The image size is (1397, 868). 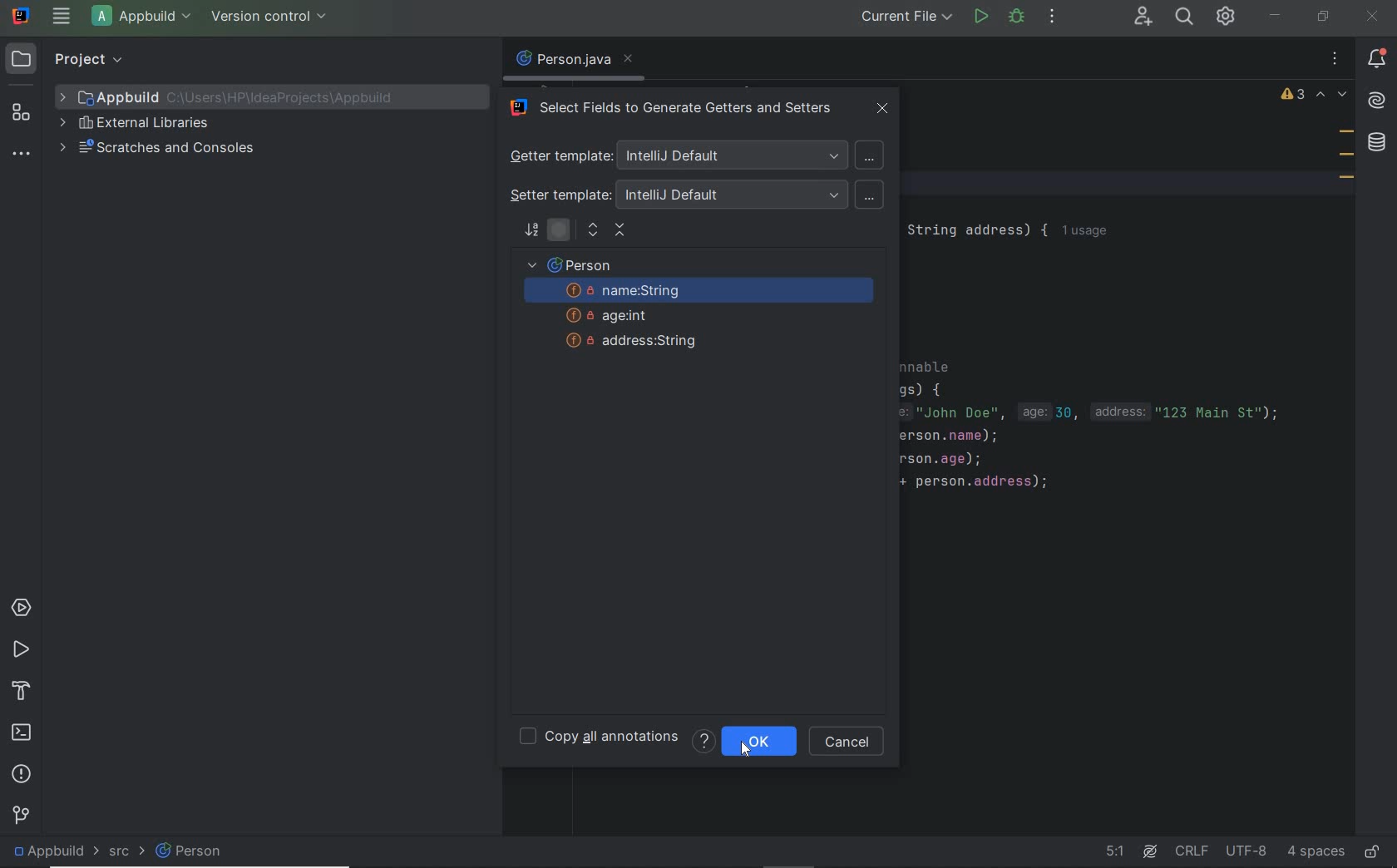 I want to click on debug, so click(x=1015, y=17).